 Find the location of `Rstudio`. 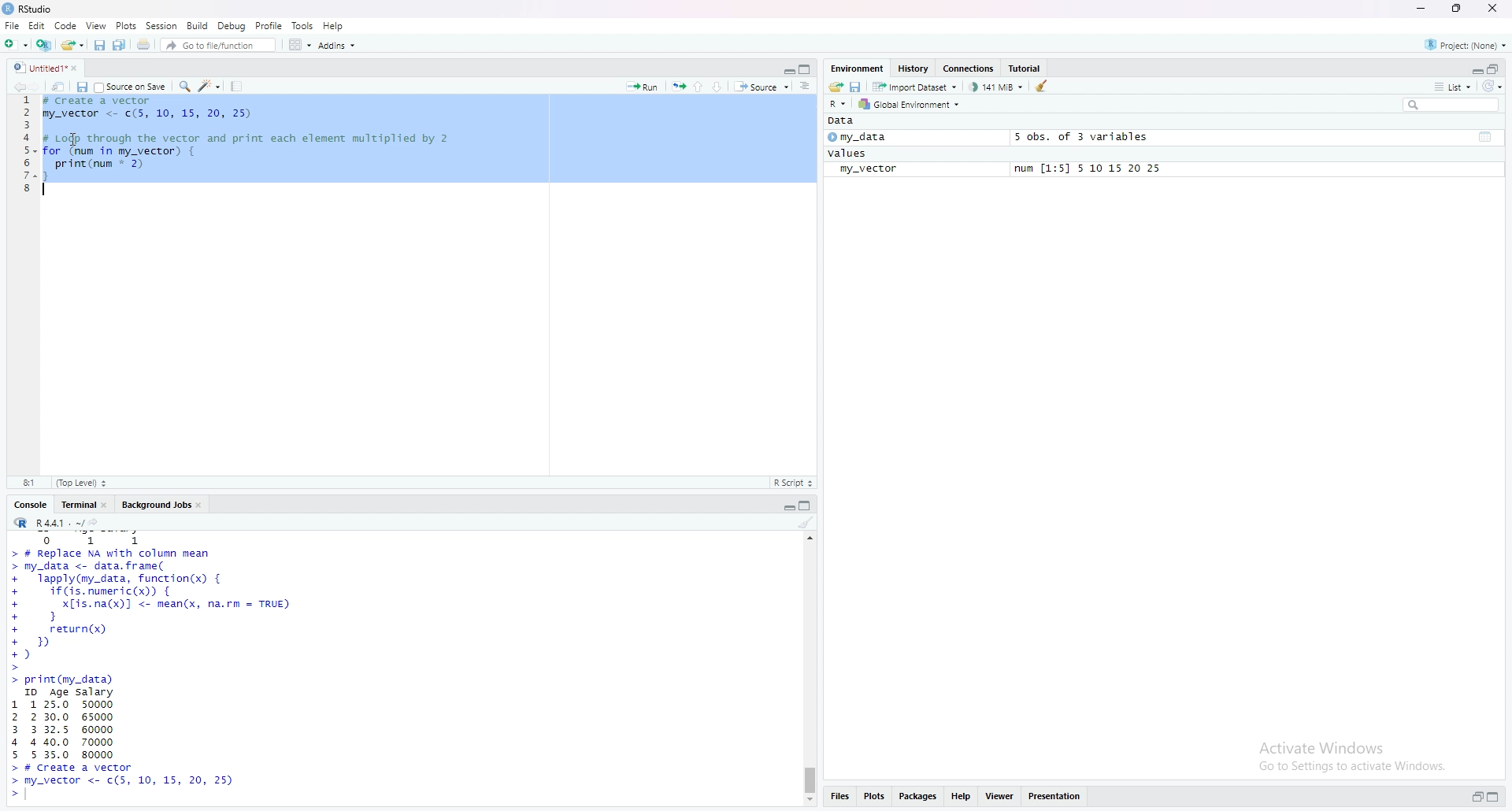

Rstudio is located at coordinates (31, 9).